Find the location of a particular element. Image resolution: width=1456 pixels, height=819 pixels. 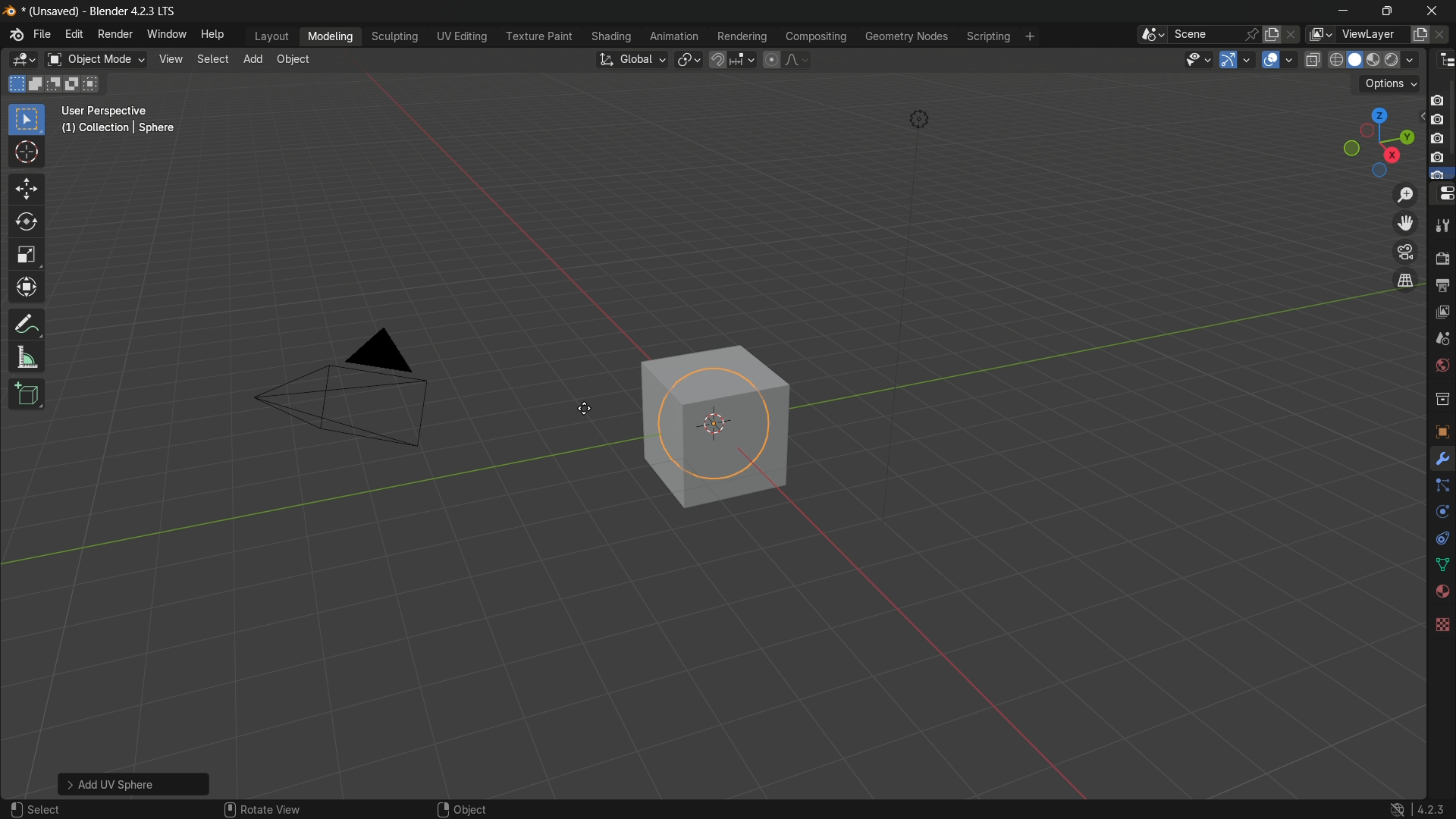

texture is located at coordinates (1442, 434).